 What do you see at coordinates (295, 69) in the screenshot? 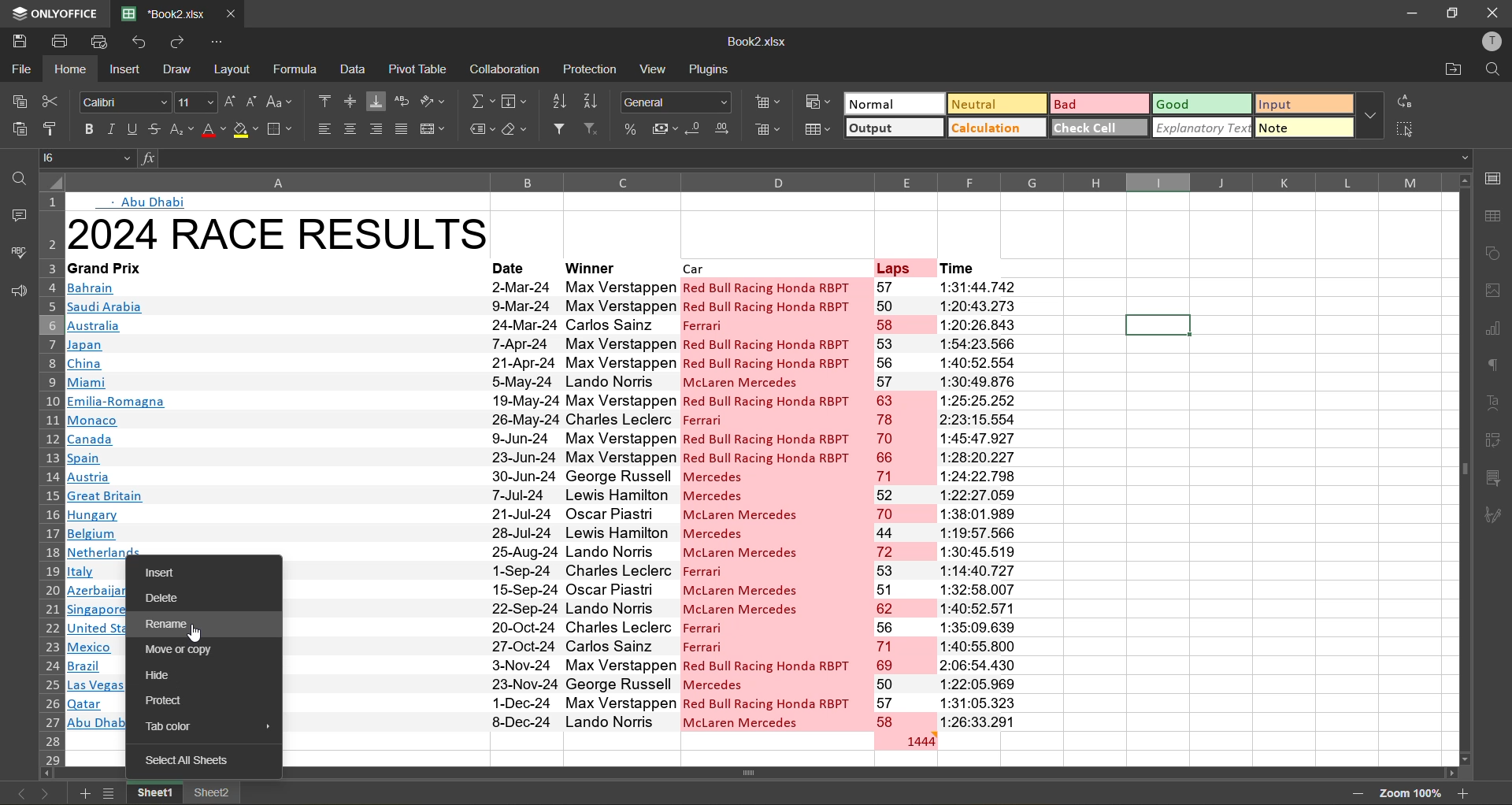
I see `formula` at bounding box center [295, 69].